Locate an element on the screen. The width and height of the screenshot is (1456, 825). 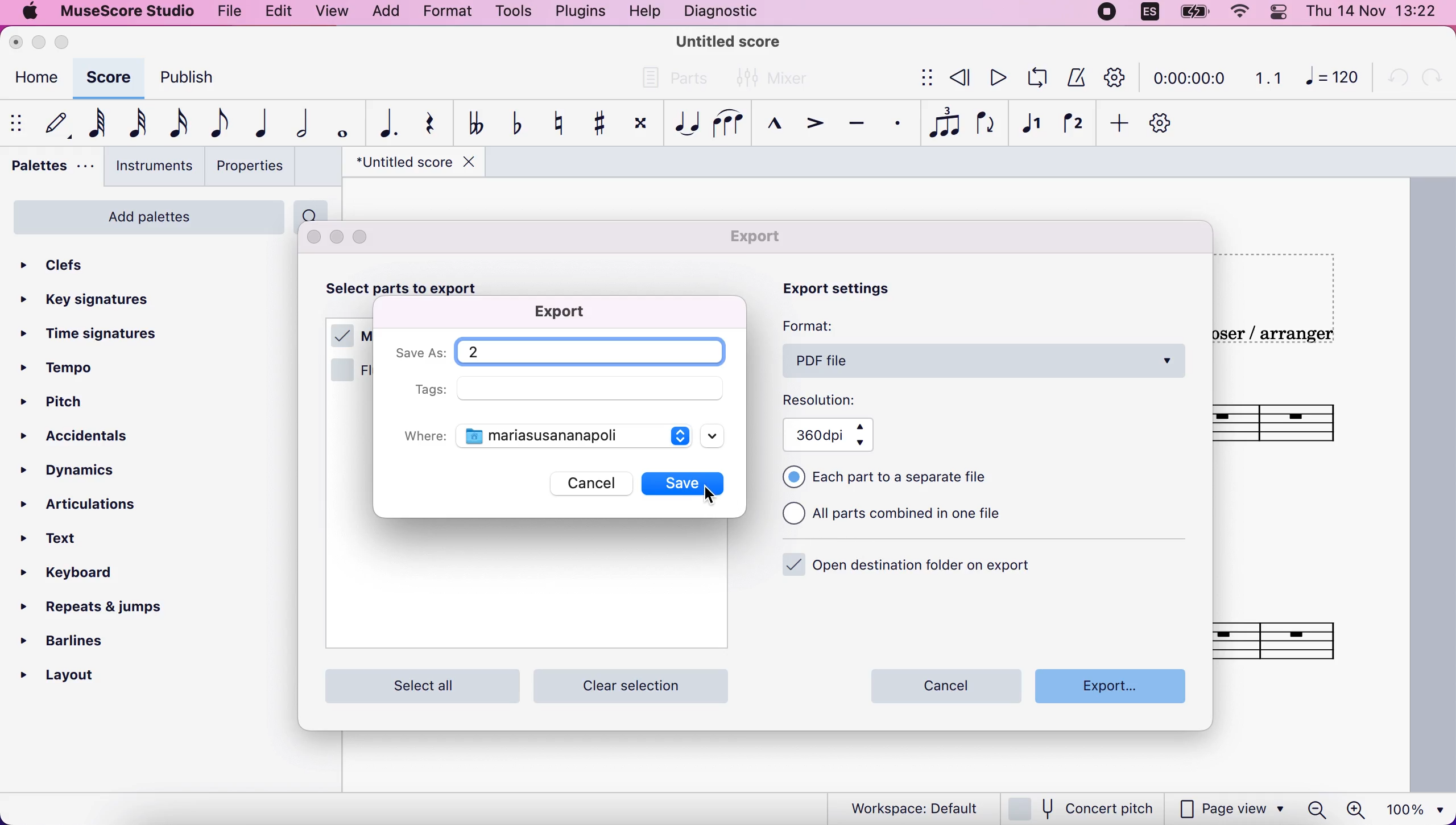
format is located at coordinates (449, 13).